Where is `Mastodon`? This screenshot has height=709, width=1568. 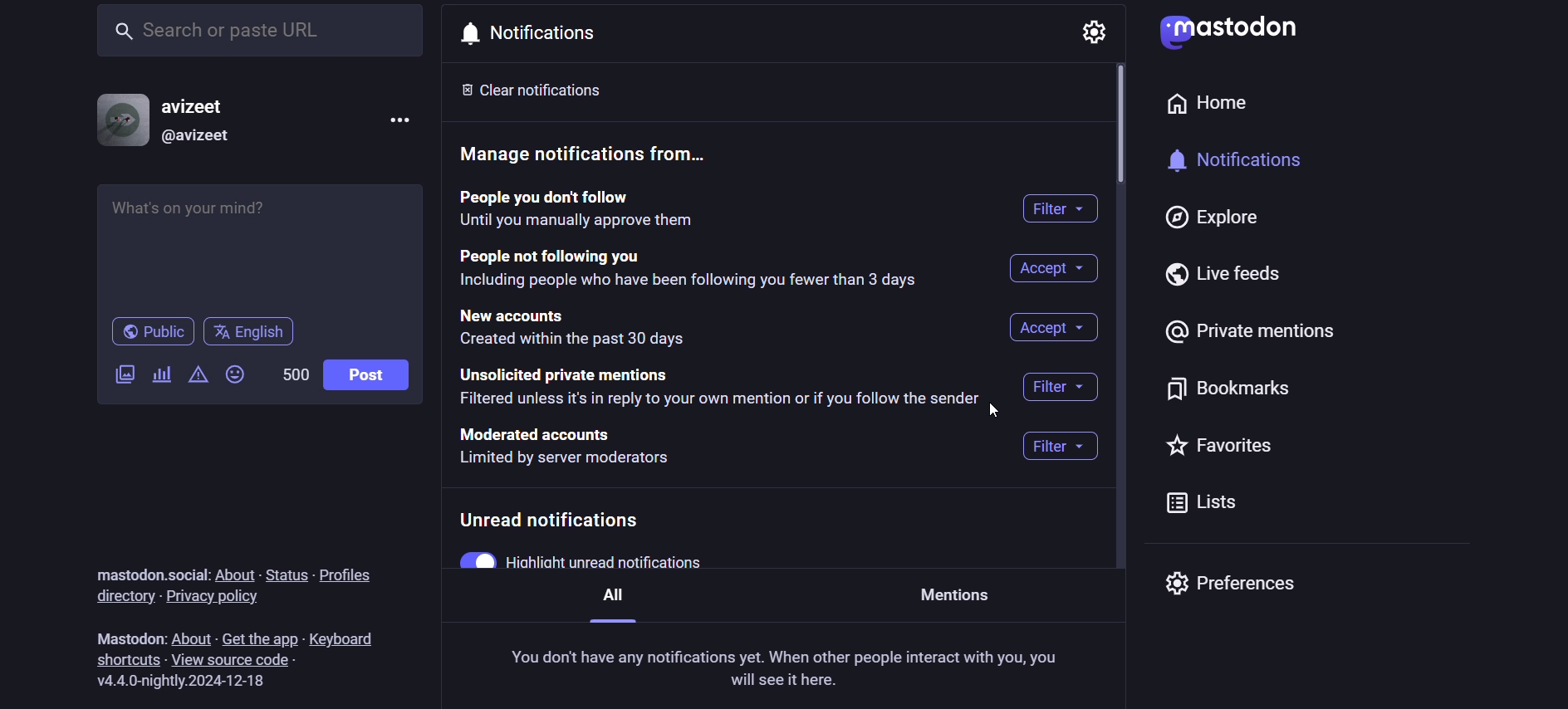
Mastodon is located at coordinates (129, 633).